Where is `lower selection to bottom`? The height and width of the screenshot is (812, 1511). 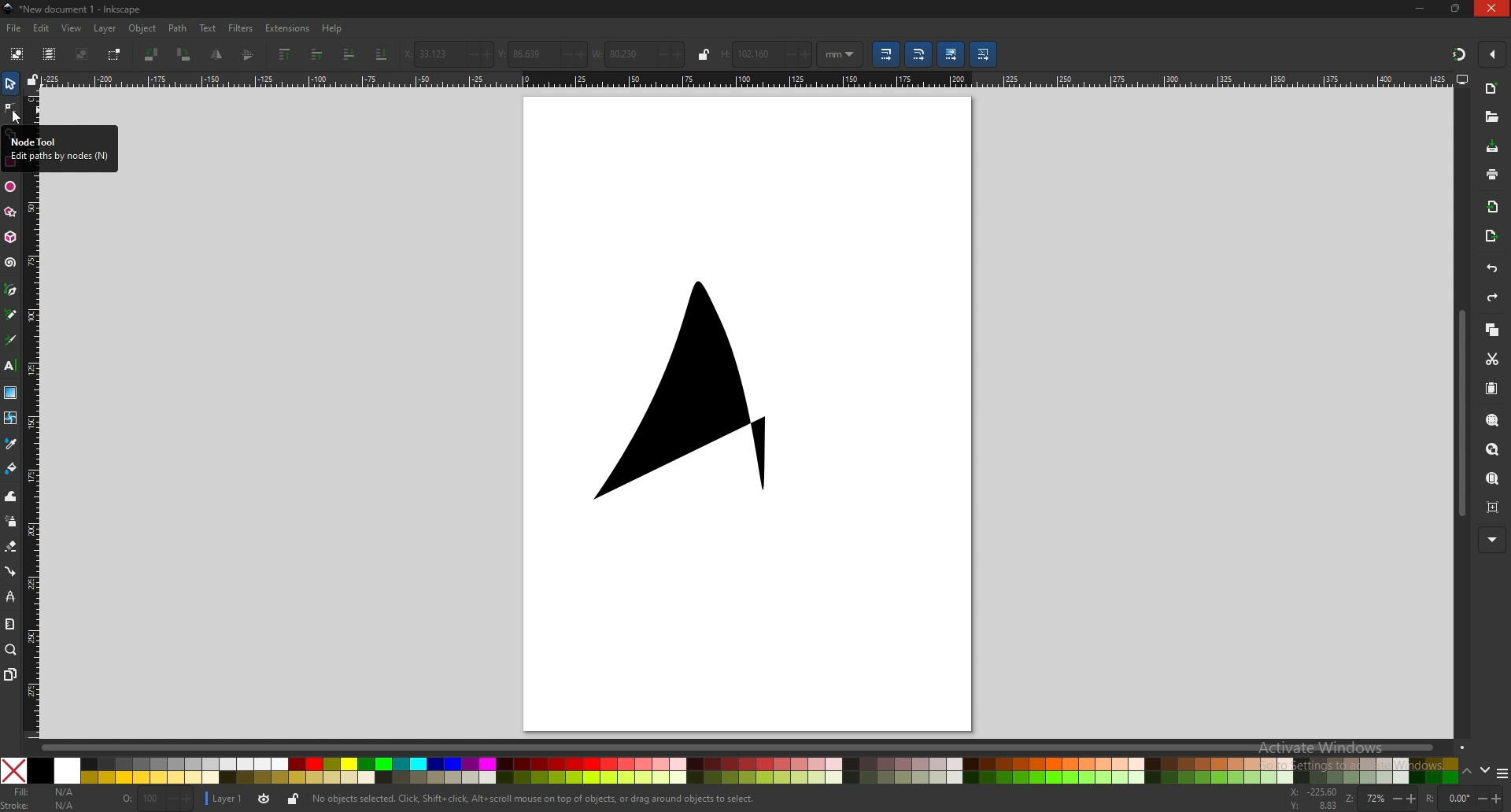
lower selection to bottom is located at coordinates (383, 53).